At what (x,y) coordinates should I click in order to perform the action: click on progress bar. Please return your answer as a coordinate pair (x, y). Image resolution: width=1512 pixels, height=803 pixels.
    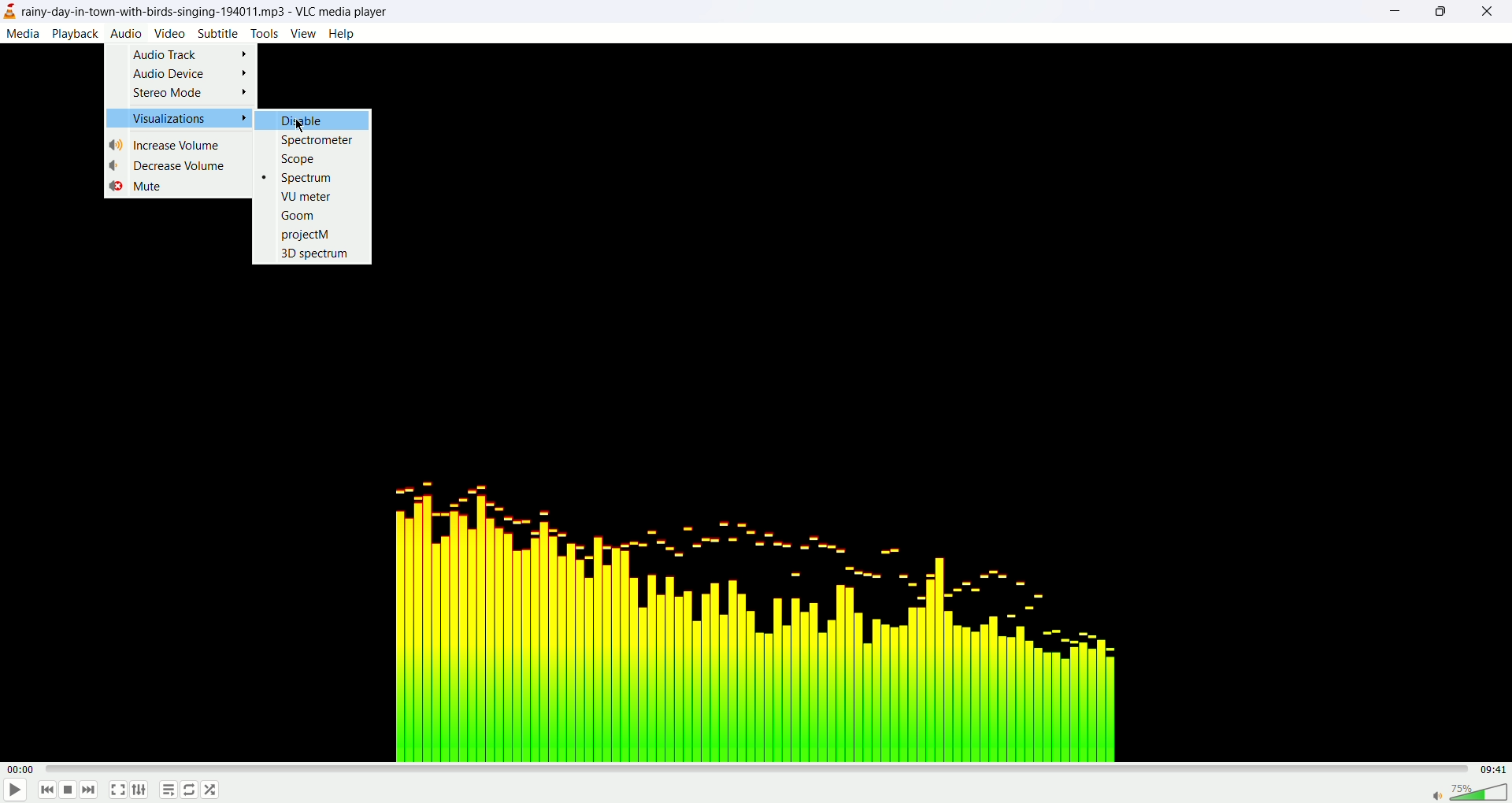
    Looking at the image, I should click on (762, 769).